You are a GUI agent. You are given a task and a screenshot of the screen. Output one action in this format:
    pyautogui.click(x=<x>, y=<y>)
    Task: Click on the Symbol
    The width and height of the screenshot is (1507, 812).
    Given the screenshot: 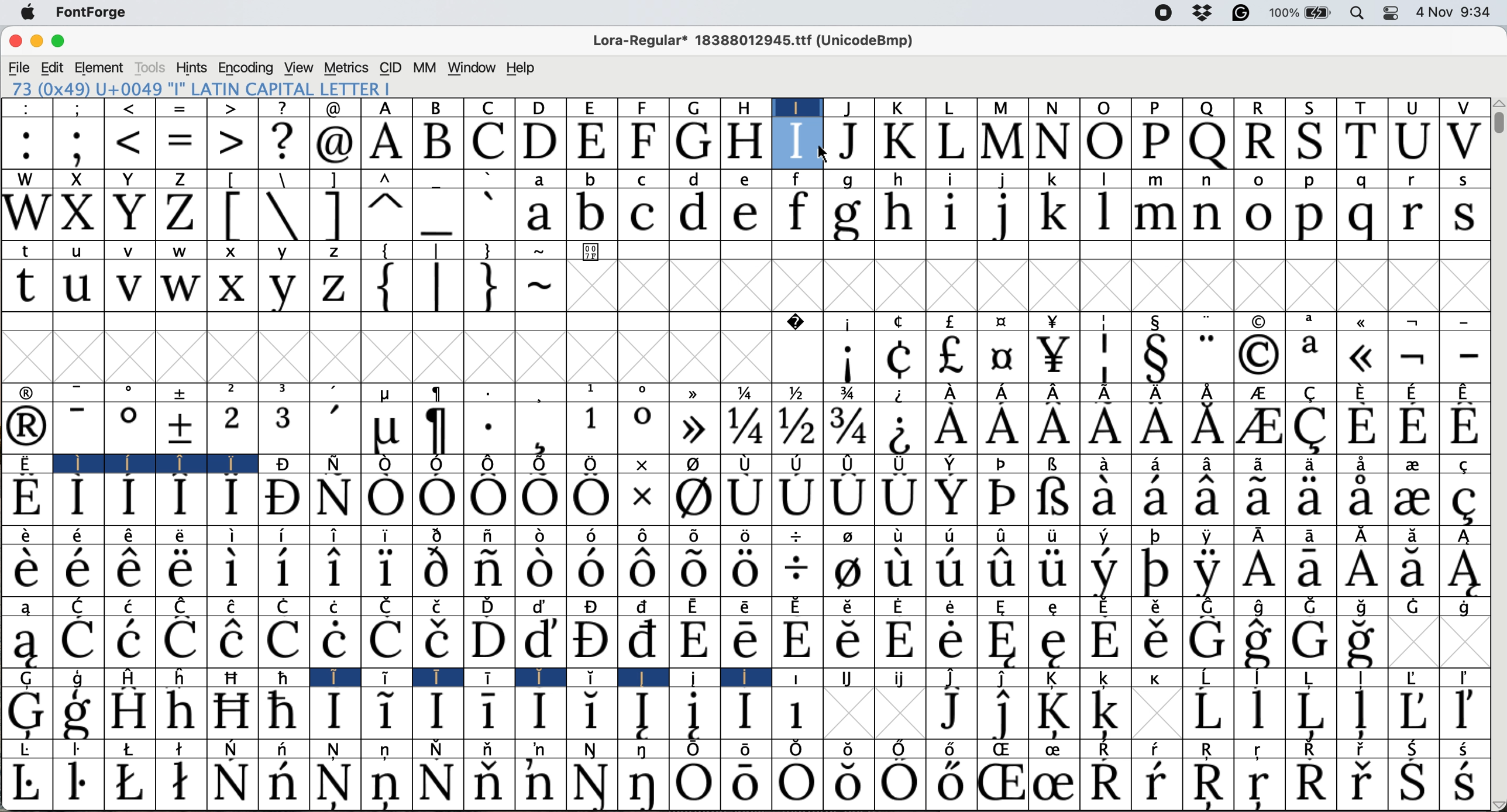 What is the action you would take?
    pyautogui.click(x=1054, y=428)
    